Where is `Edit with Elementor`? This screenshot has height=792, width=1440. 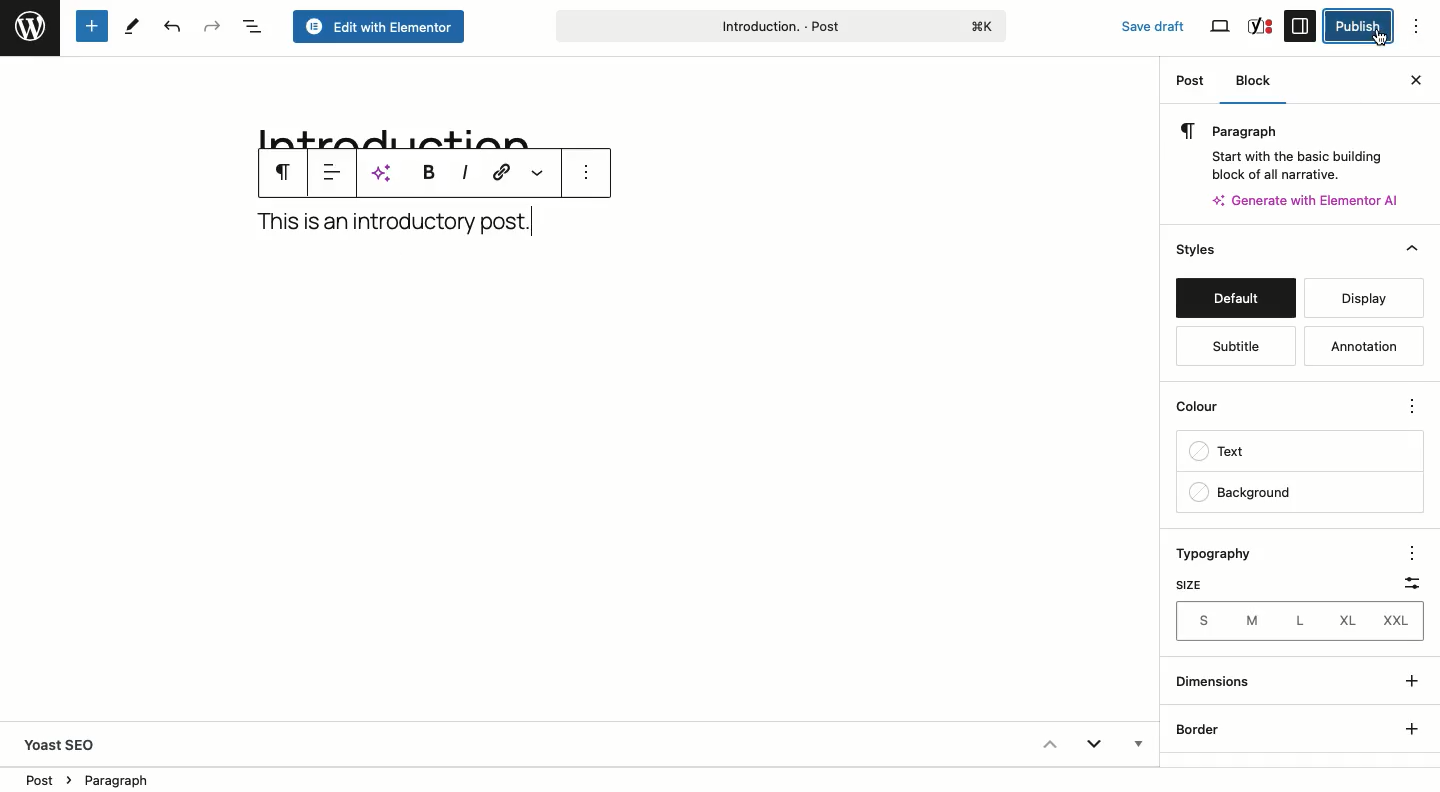 Edit with Elementor is located at coordinates (380, 28).